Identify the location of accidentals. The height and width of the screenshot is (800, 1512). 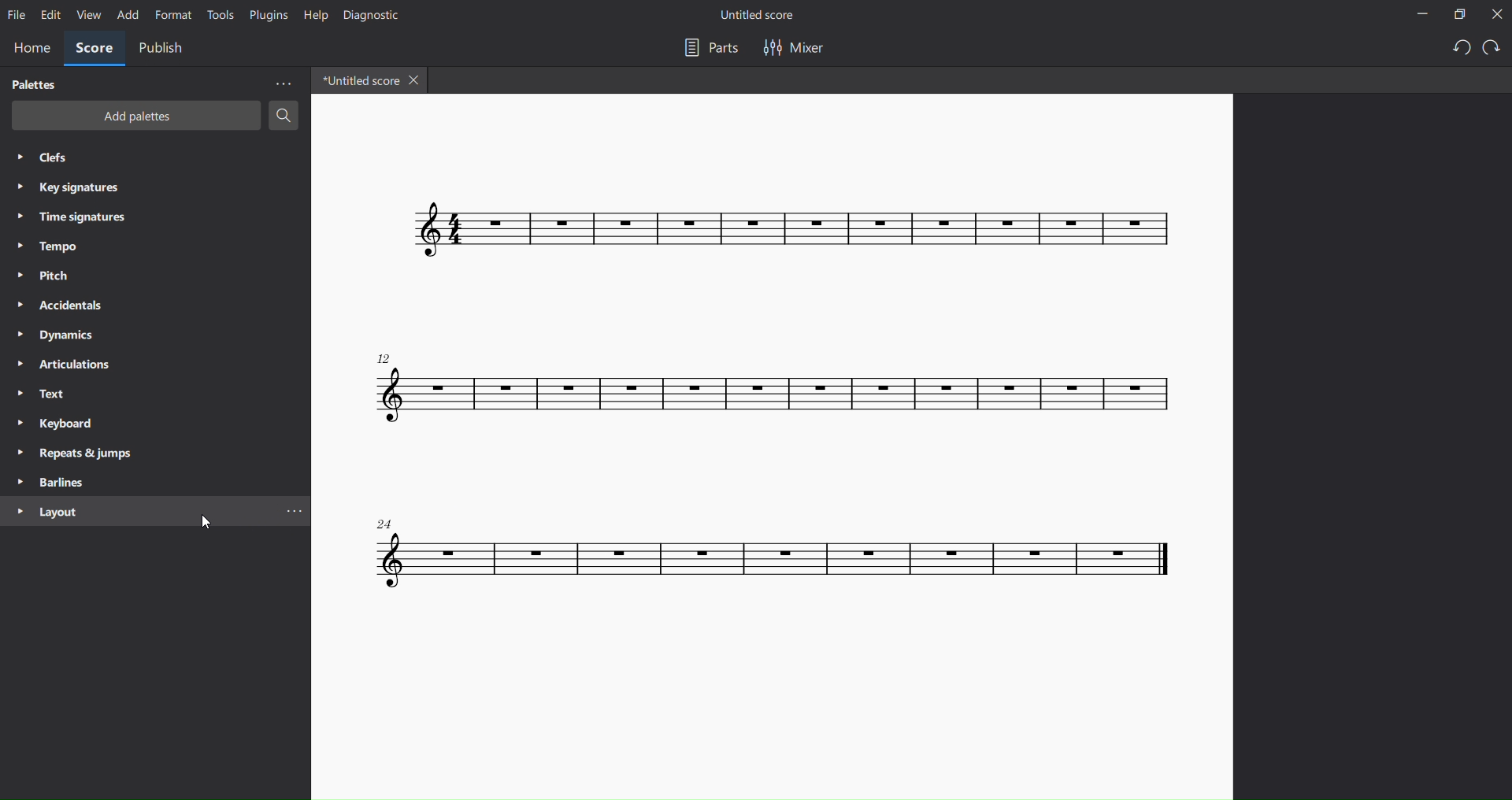
(57, 304).